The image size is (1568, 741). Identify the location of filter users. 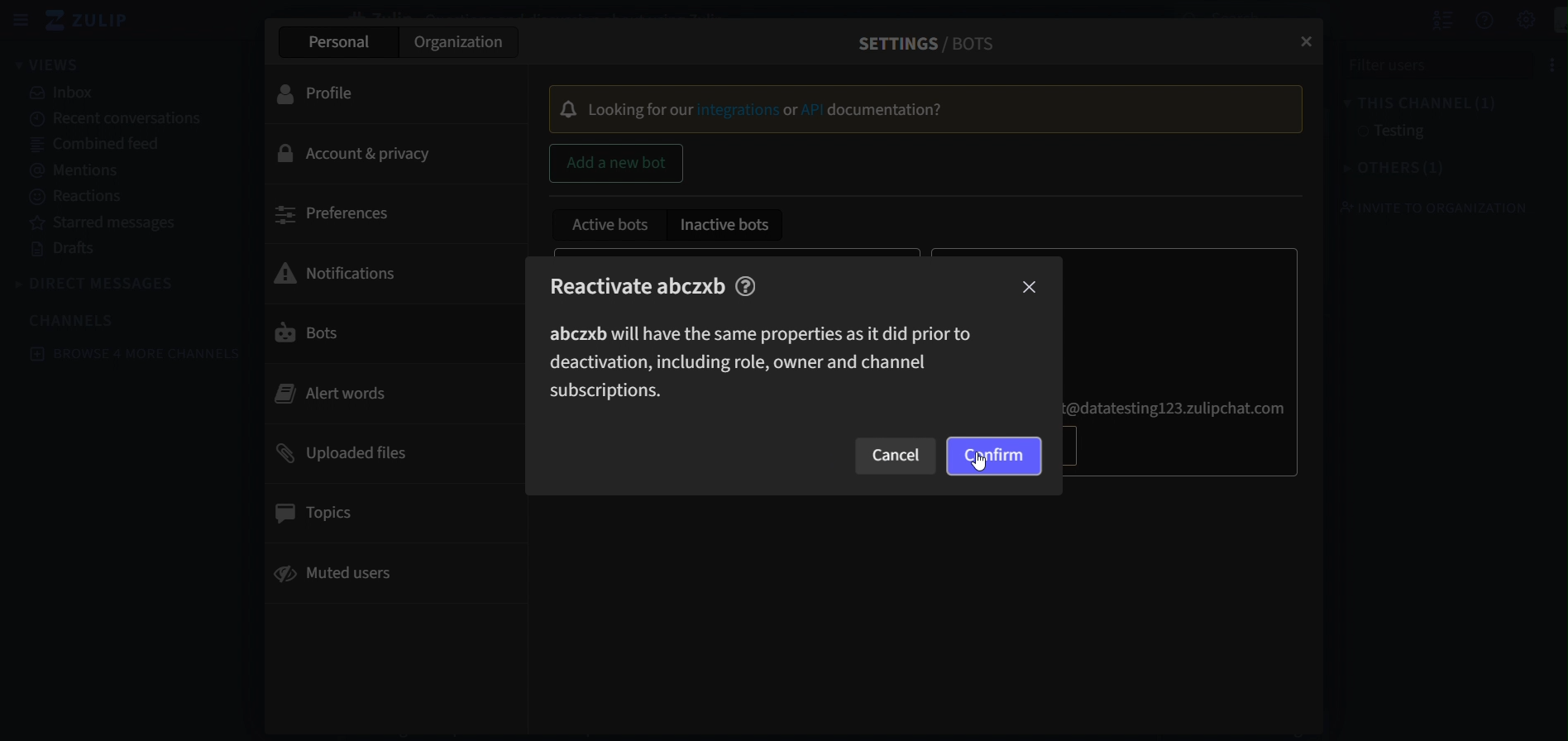
(1413, 65).